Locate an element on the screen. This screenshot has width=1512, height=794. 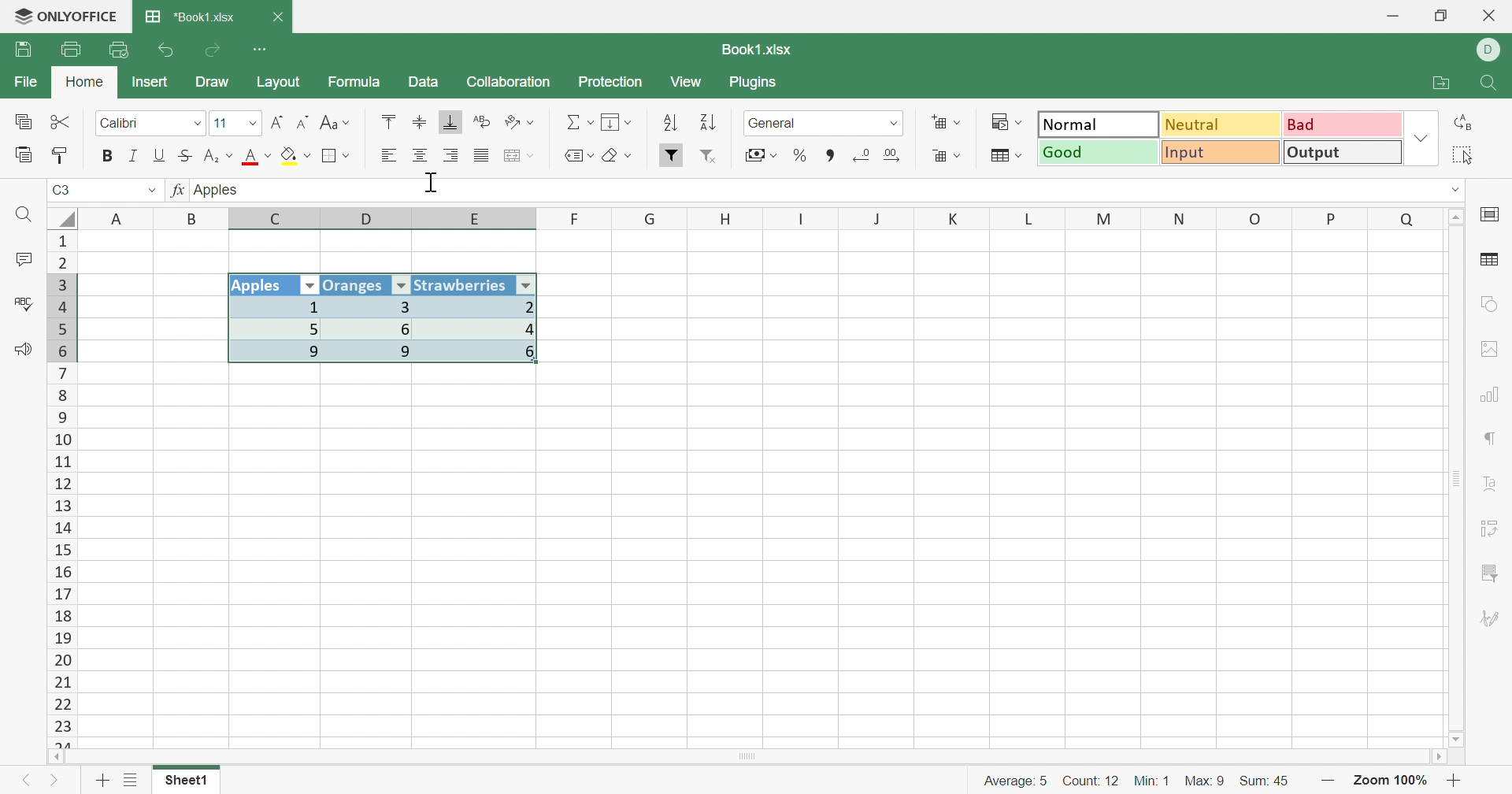
General is located at coordinates (777, 123).